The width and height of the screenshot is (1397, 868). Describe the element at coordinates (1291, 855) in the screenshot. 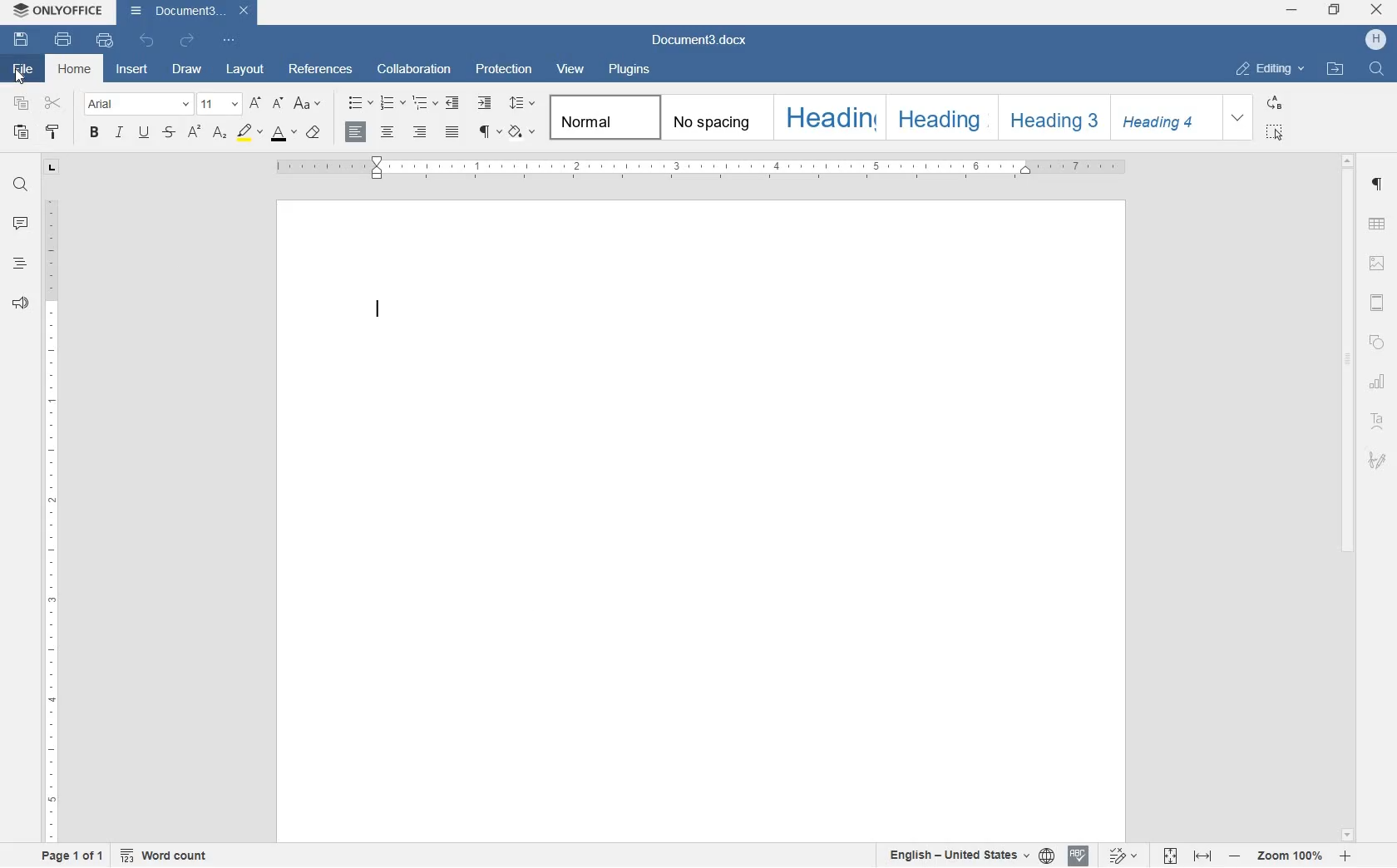

I see `zoom in or out` at that location.